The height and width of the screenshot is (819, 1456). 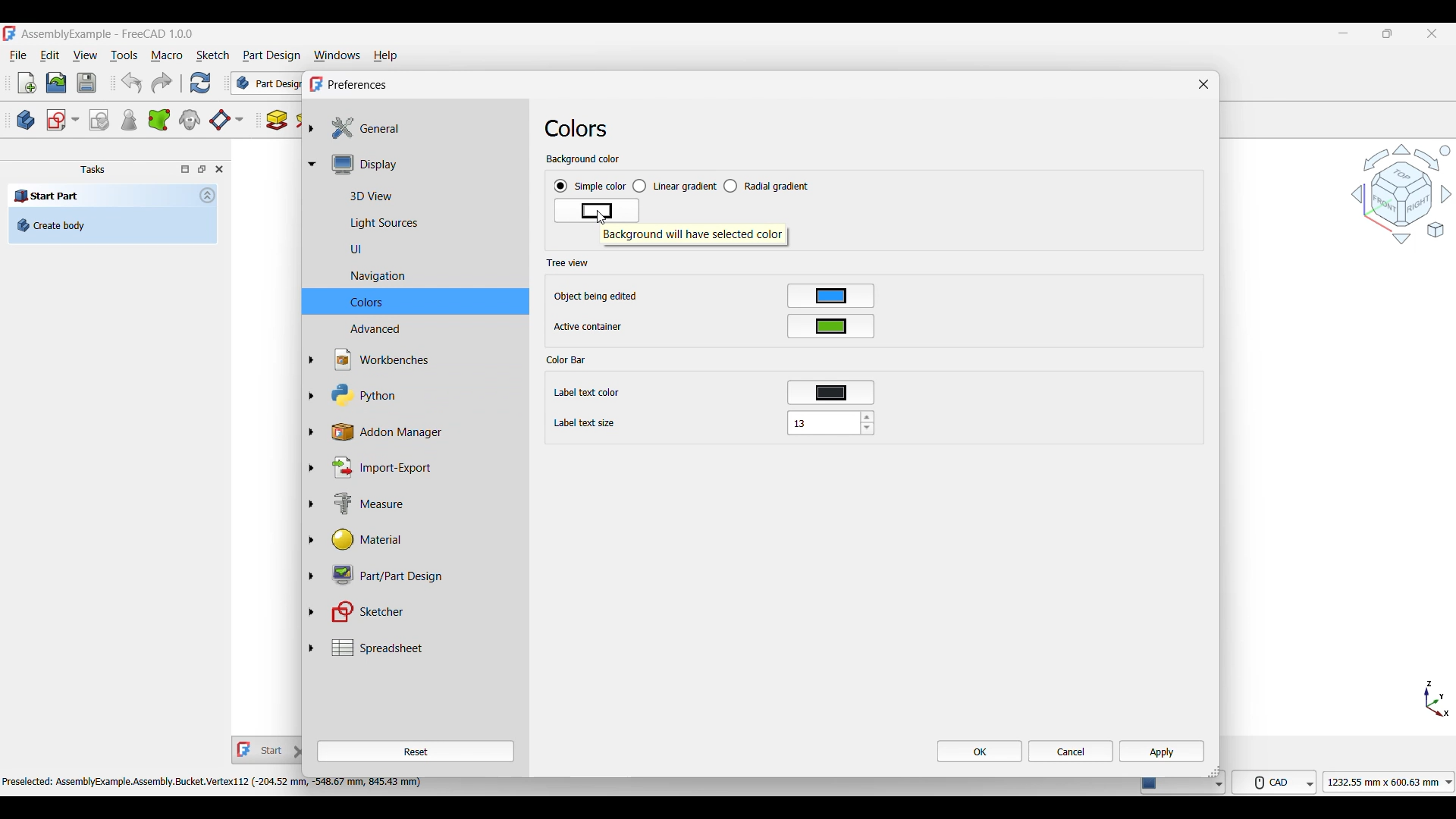 What do you see at coordinates (1162, 751) in the screenshot?
I see `Apply` at bounding box center [1162, 751].